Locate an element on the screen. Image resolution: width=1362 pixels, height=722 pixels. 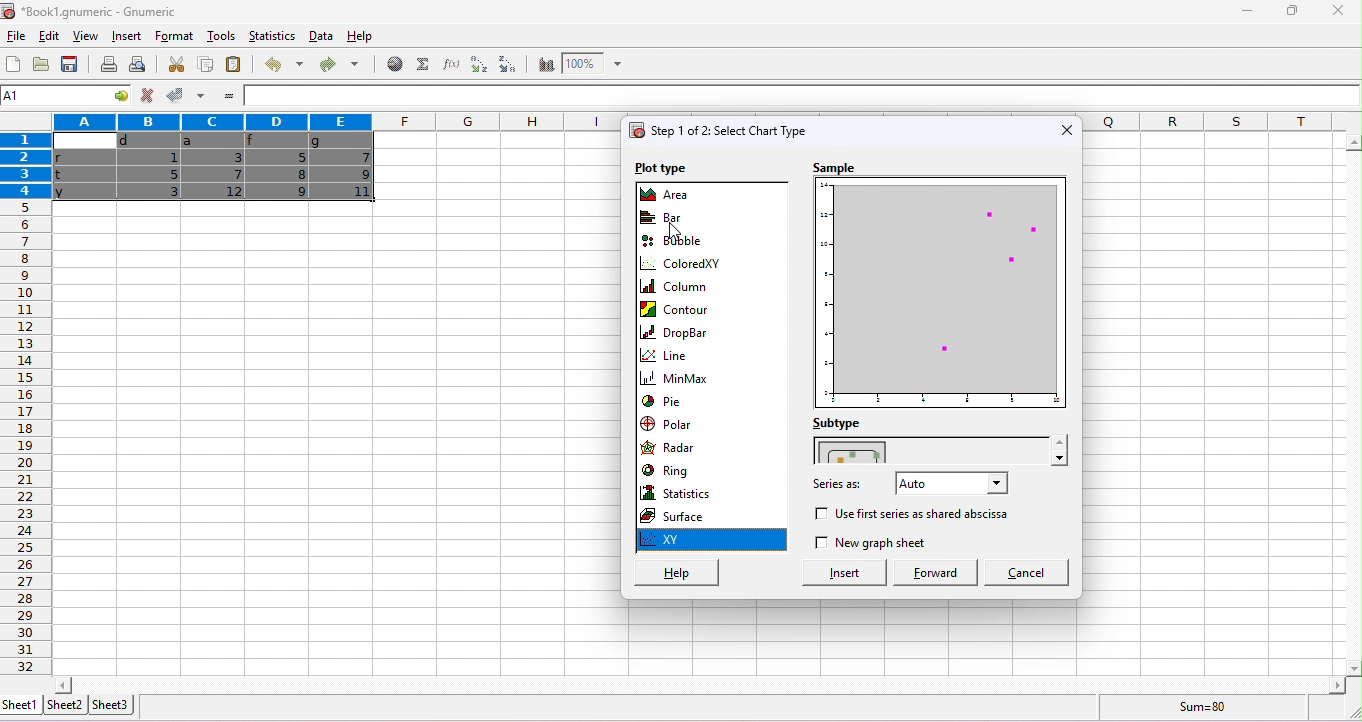
format is located at coordinates (175, 36).